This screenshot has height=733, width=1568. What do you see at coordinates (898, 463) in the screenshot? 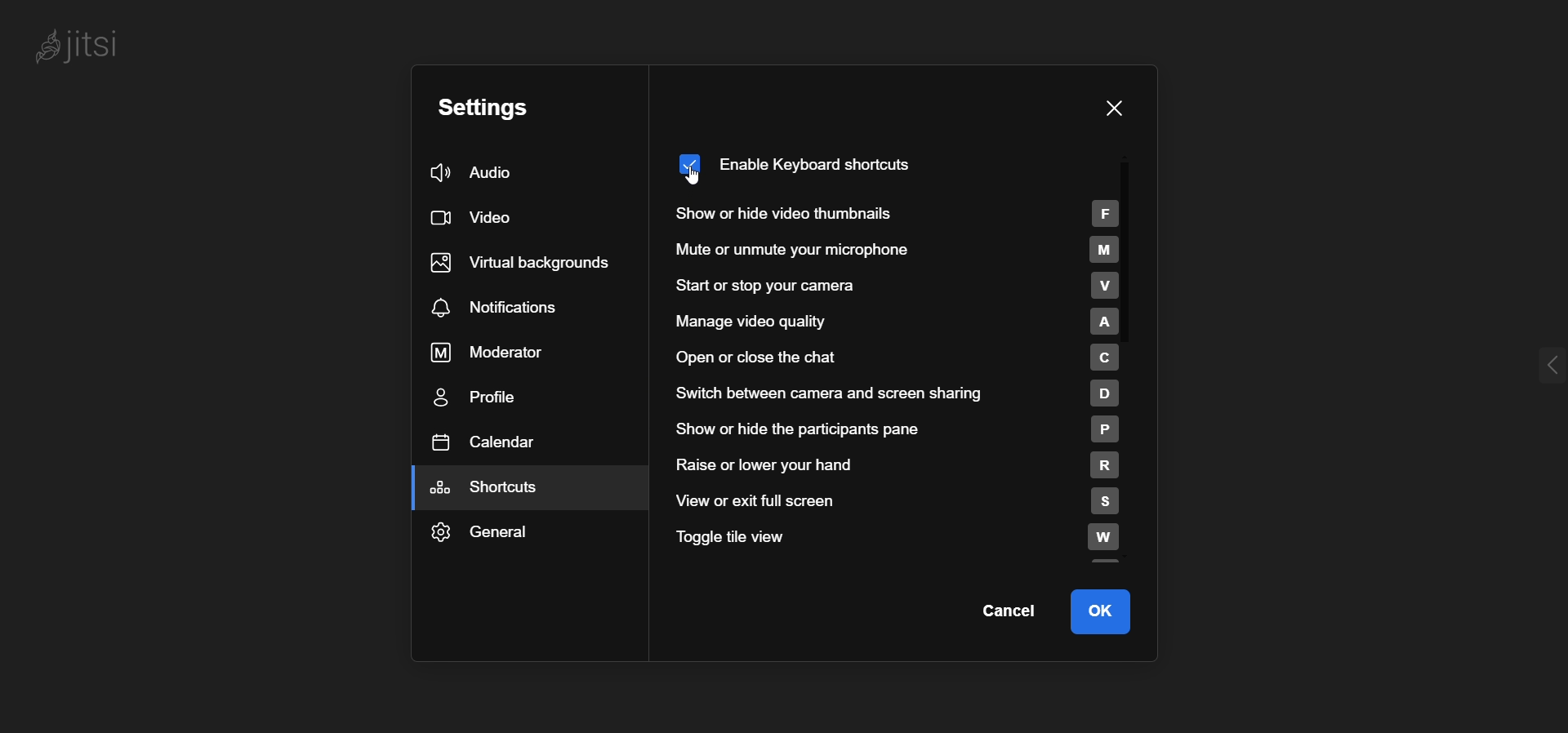
I see `raise or lower hand` at bounding box center [898, 463].